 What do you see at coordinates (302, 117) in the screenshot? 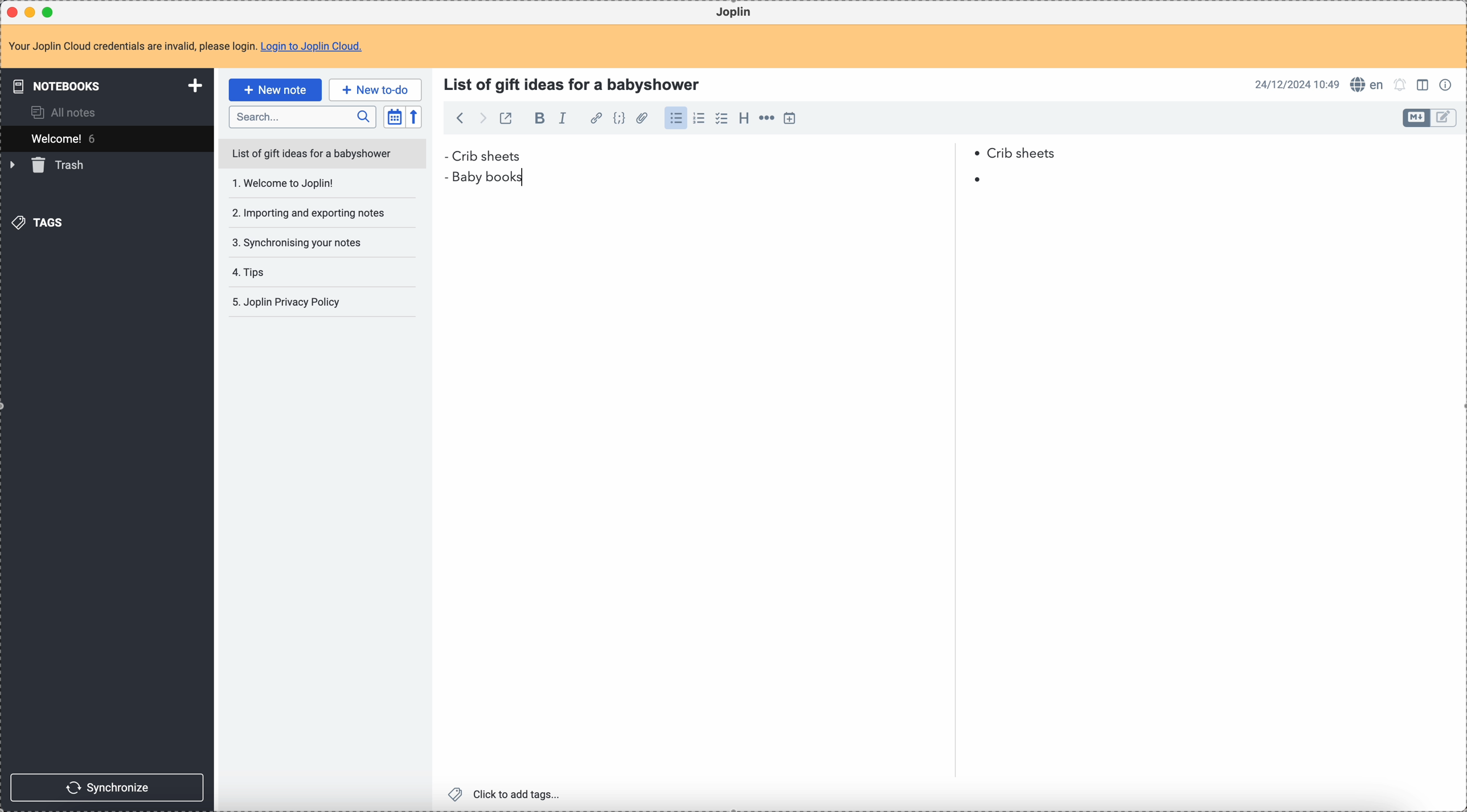
I see `search bar` at bounding box center [302, 117].